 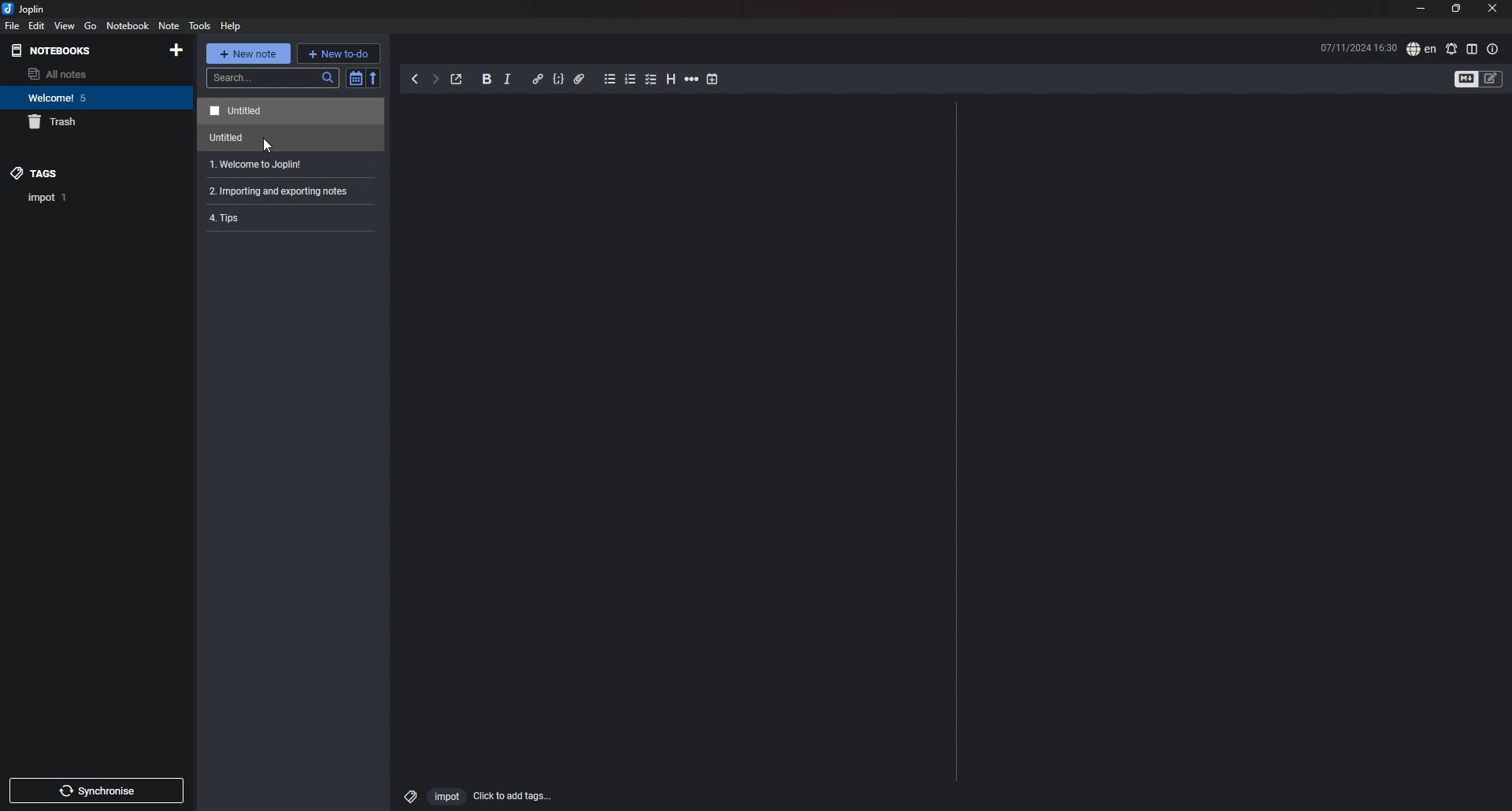 What do you see at coordinates (74, 51) in the screenshot?
I see `notebooks` at bounding box center [74, 51].